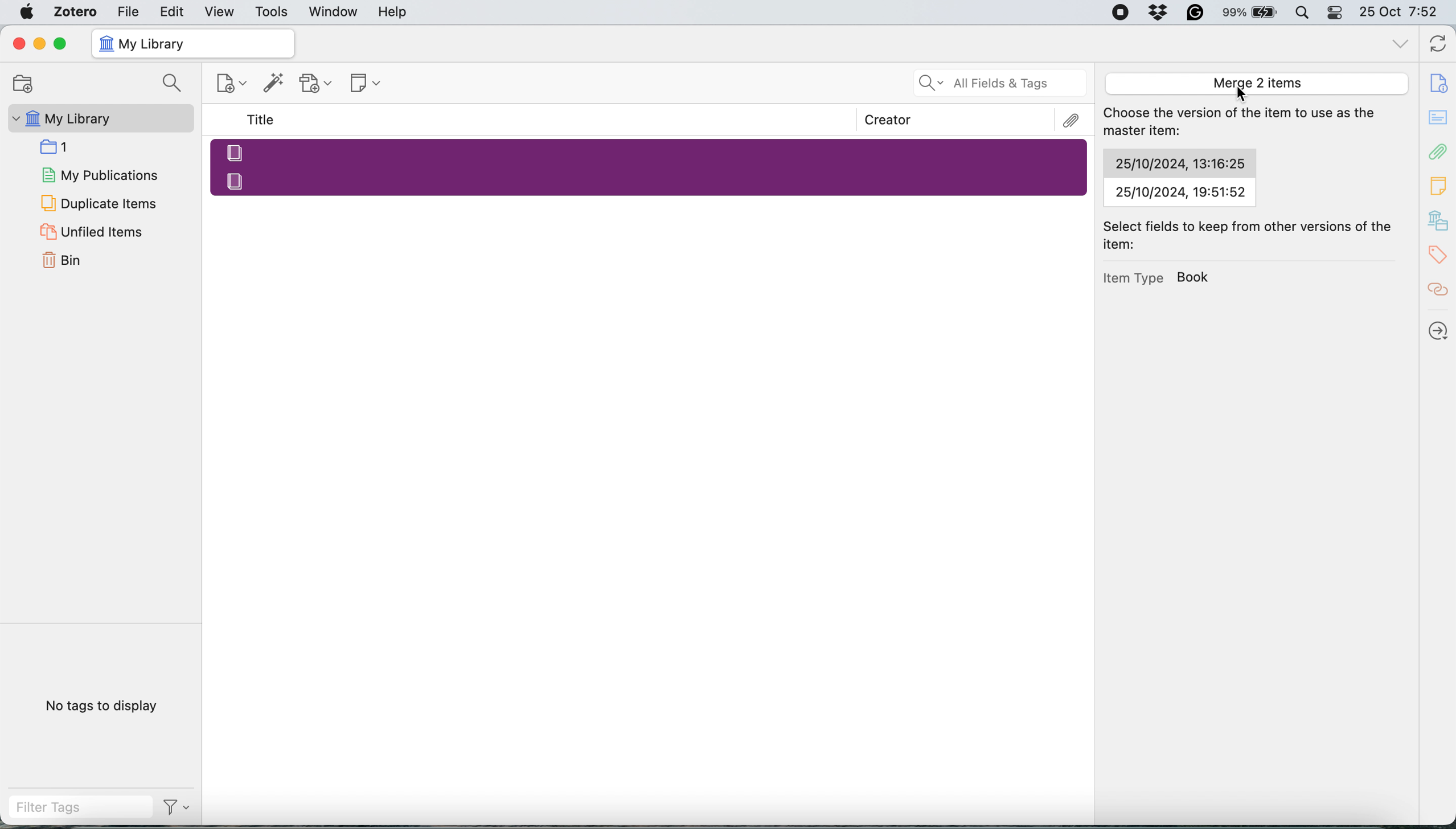 The image size is (1456, 829). What do you see at coordinates (76, 11) in the screenshot?
I see `Zotero` at bounding box center [76, 11].